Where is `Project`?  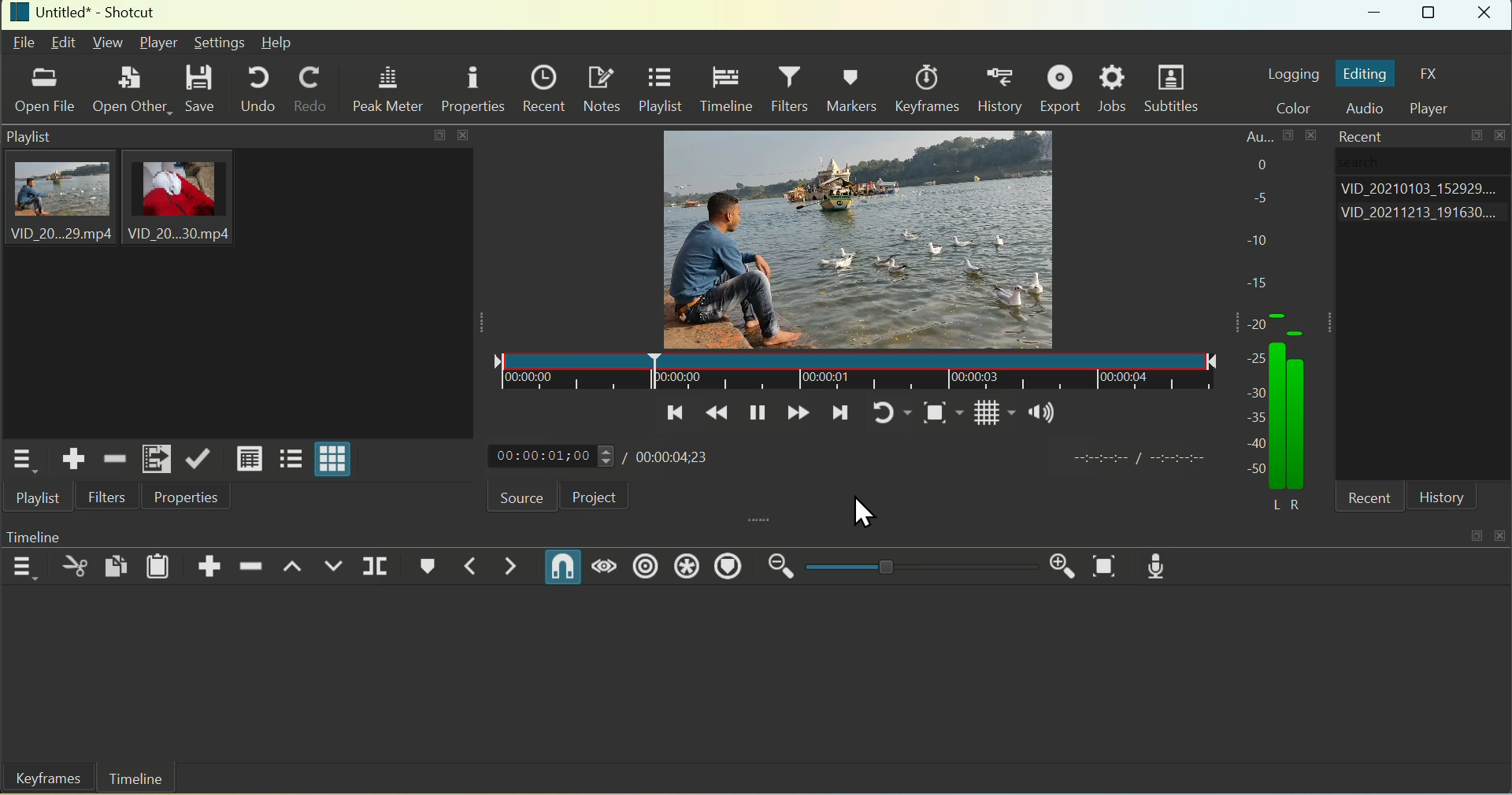 Project is located at coordinates (594, 497).